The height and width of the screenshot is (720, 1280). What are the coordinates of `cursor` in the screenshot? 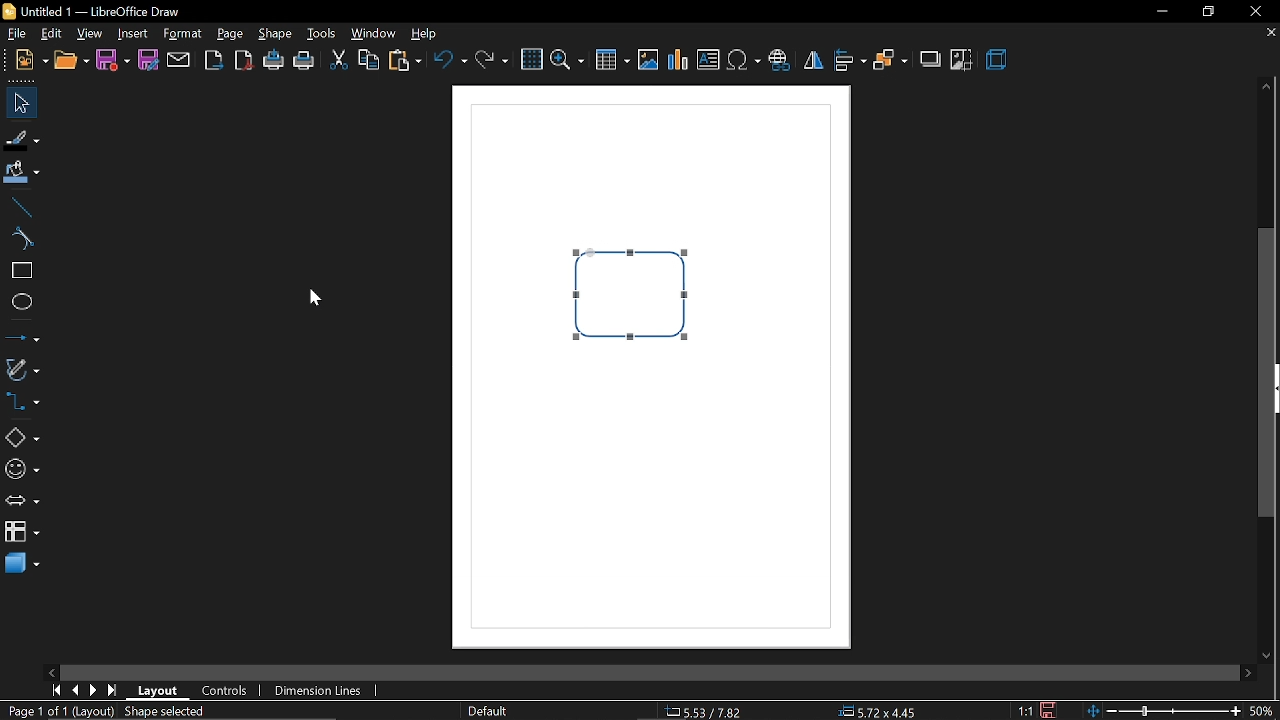 It's located at (309, 298).